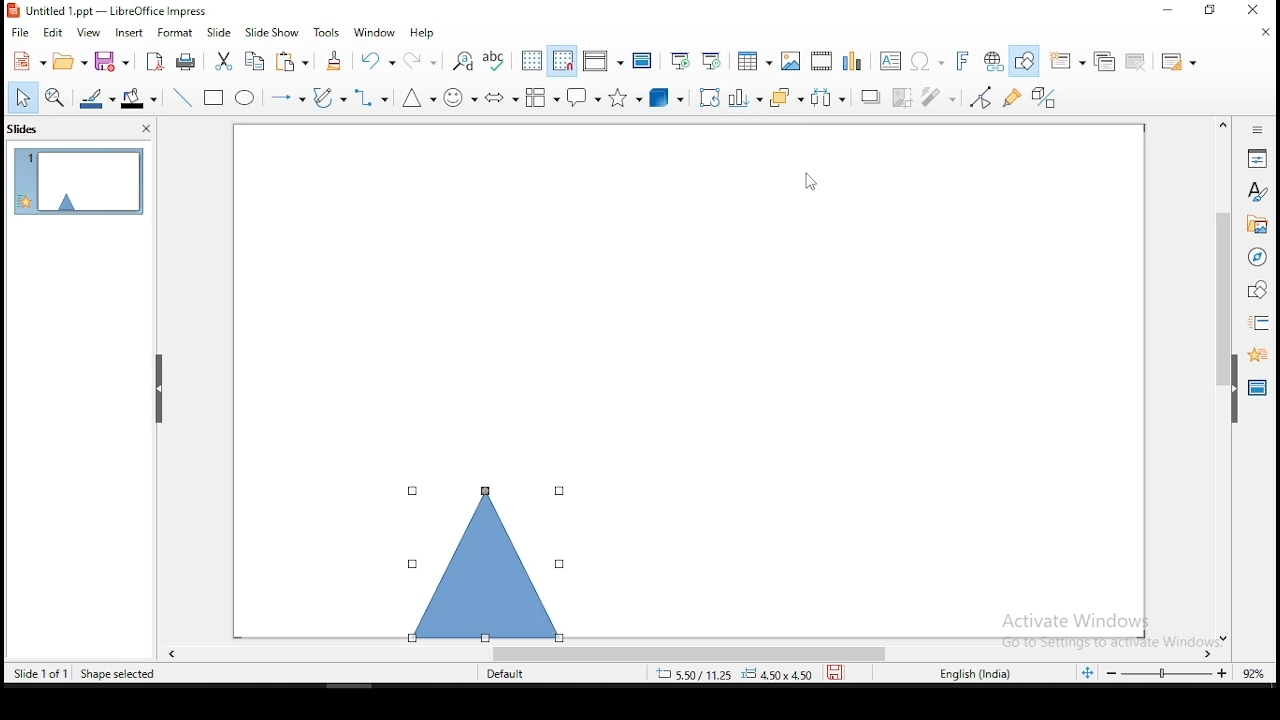  I want to click on images, so click(790, 59).